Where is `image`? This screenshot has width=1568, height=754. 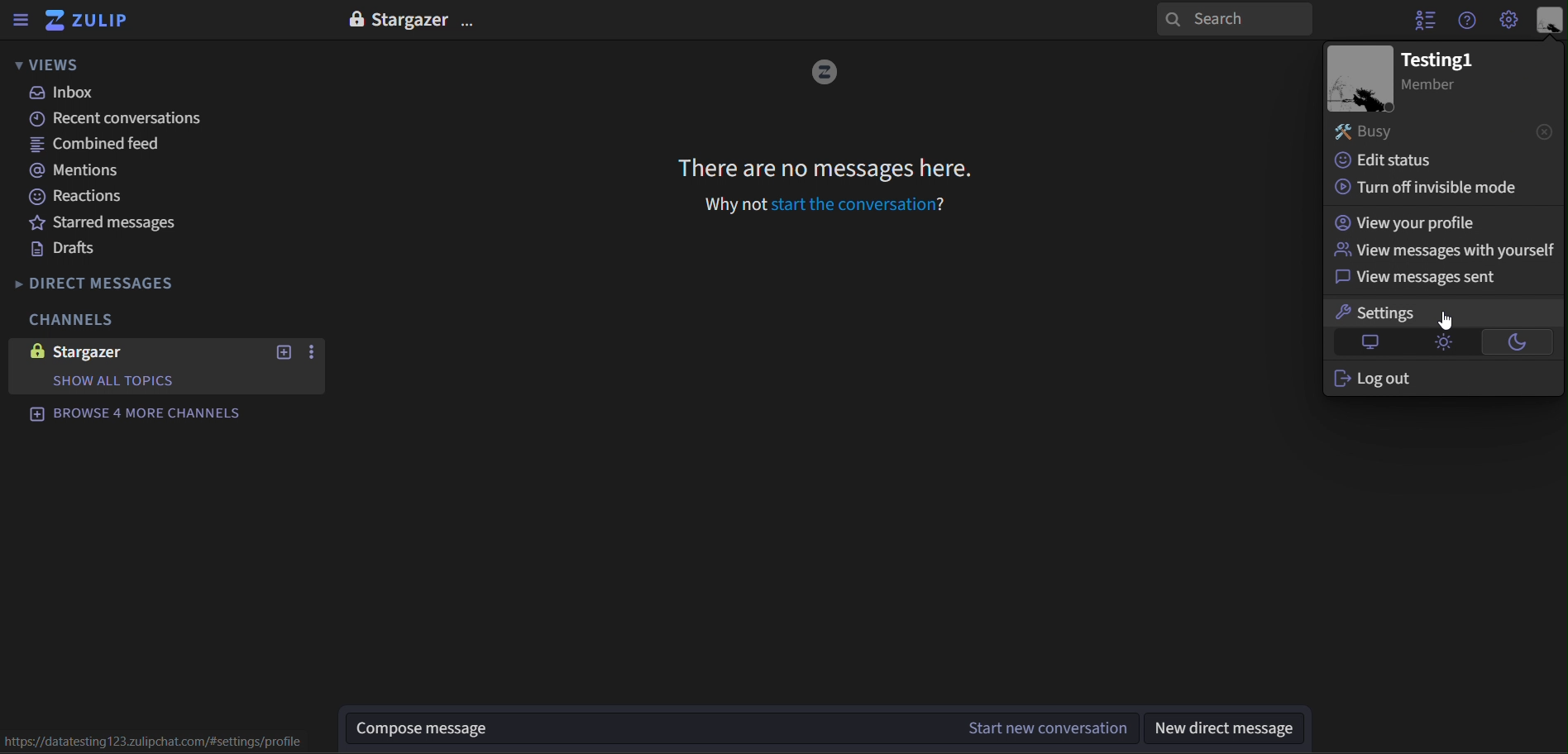 image is located at coordinates (1363, 78).